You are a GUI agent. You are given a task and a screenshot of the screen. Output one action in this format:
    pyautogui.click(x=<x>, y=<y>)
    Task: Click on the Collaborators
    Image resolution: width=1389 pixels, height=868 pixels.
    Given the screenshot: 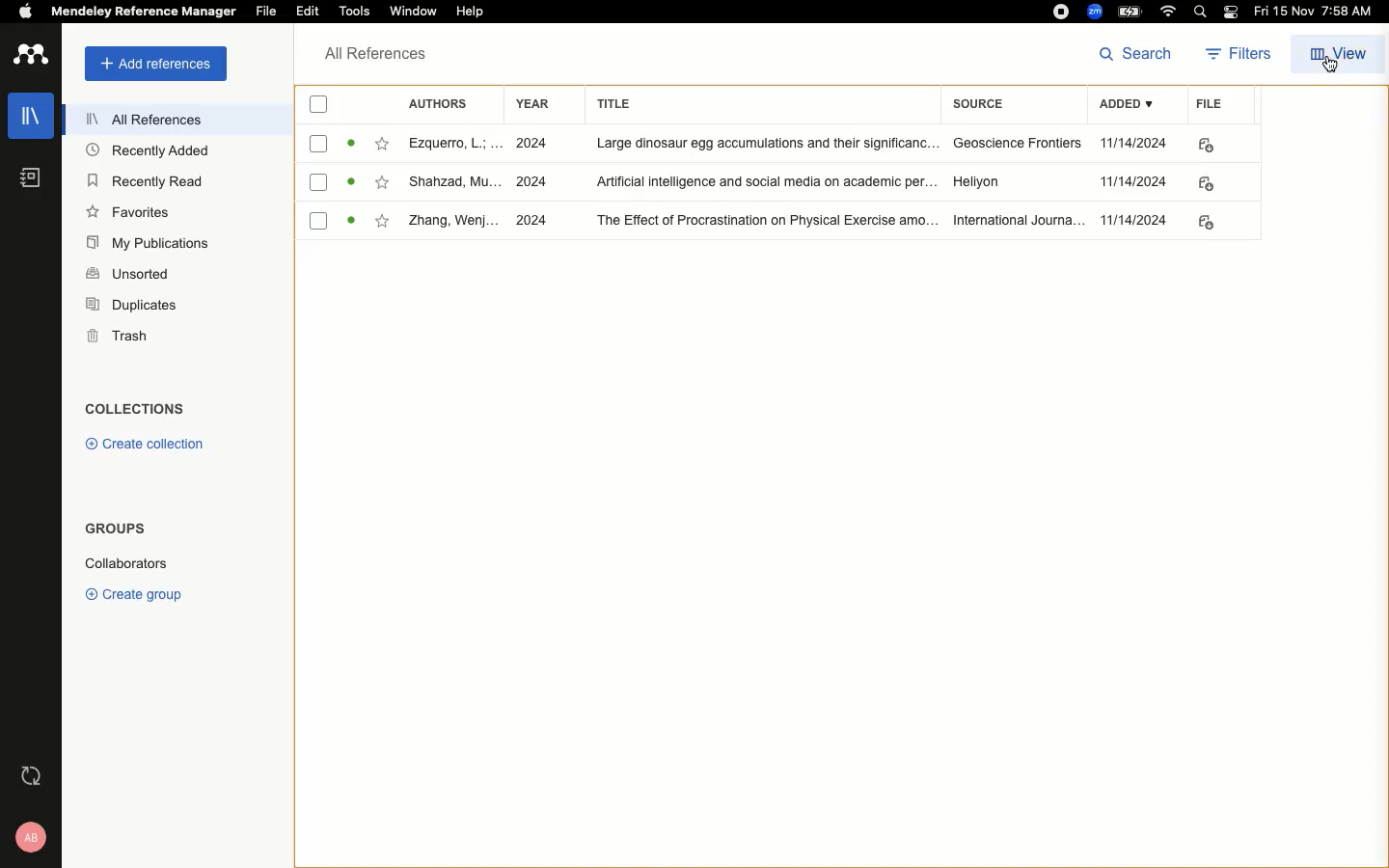 What is the action you would take?
    pyautogui.click(x=138, y=562)
    